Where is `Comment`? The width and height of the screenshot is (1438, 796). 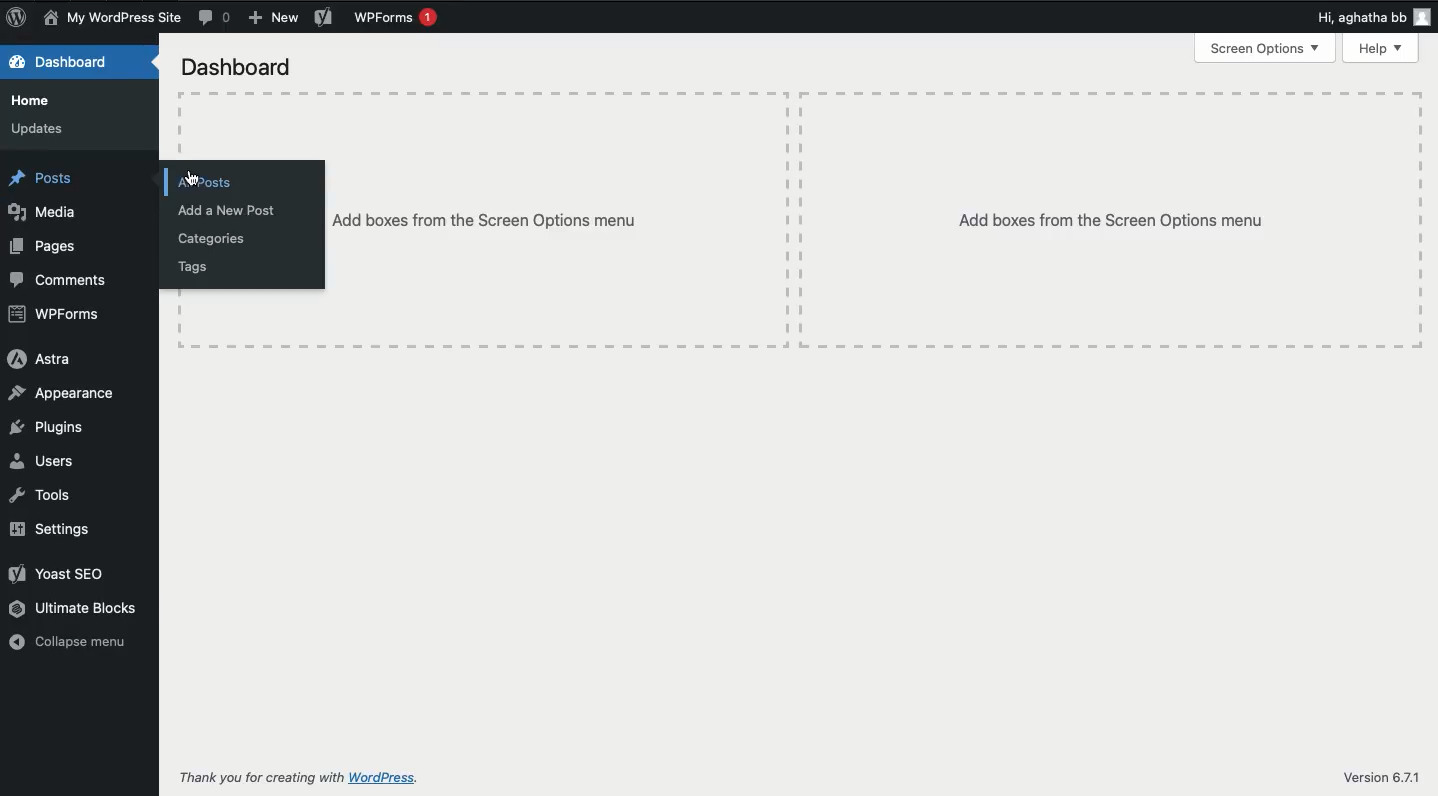 Comment is located at coordinates (214, 18).